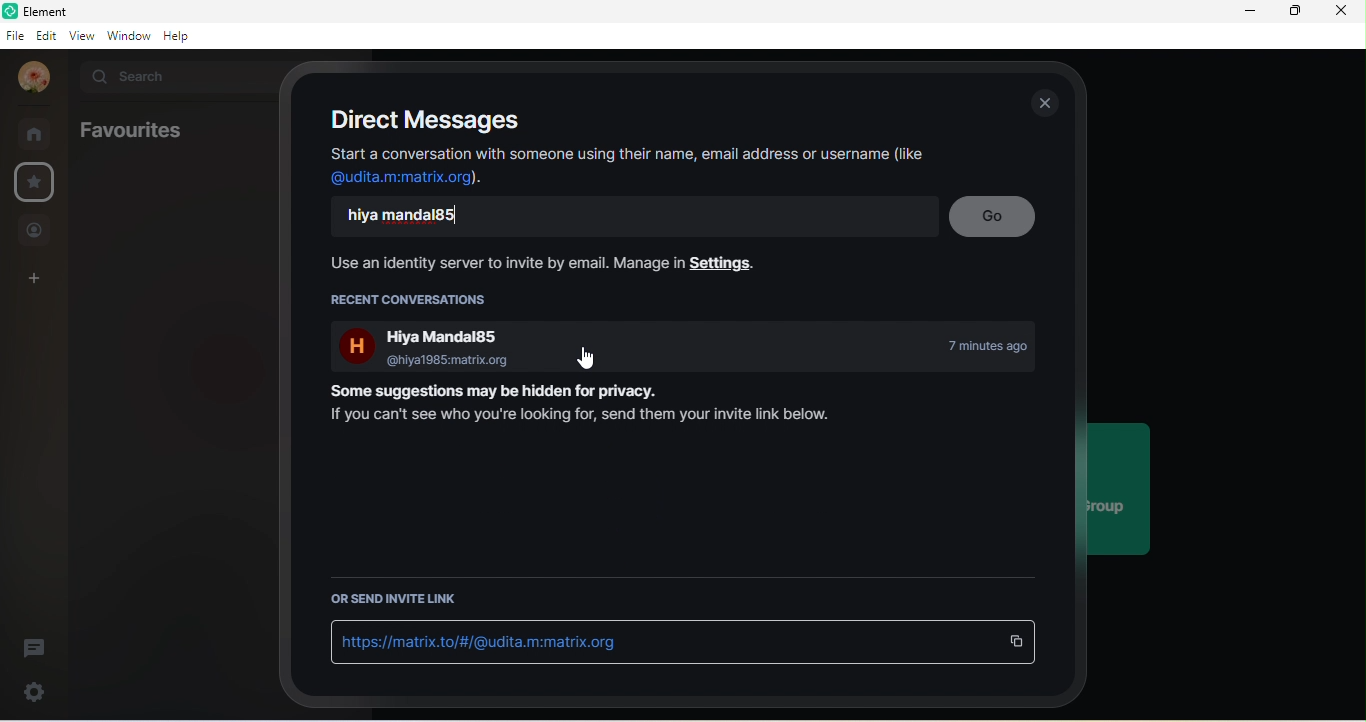  I want to click on maximize, so click(1290, 11).